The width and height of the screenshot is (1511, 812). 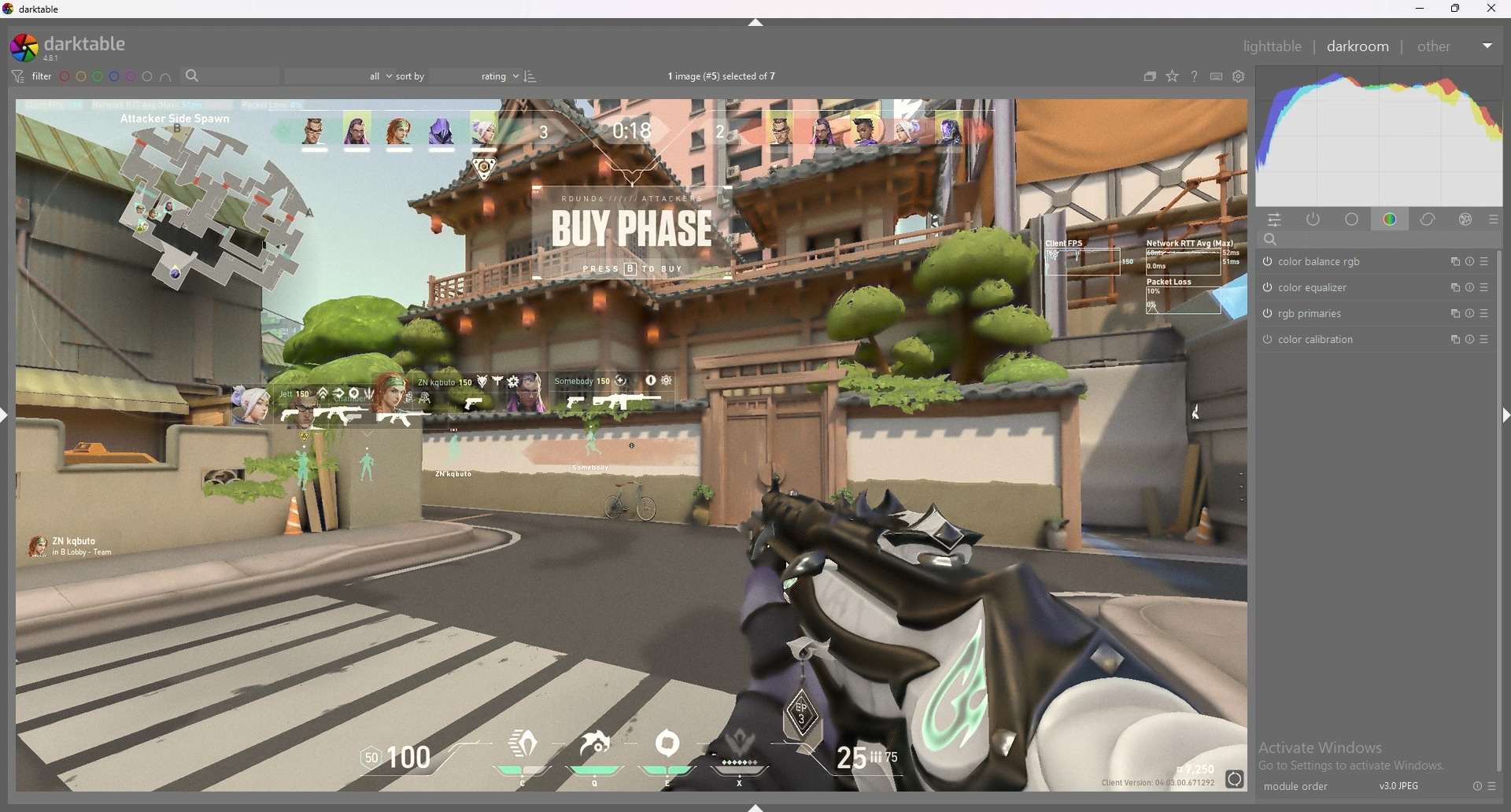 What do you see at coordinates (1393, 218) in the screenshot?
I see `color` at bounding box center [1393, 218].